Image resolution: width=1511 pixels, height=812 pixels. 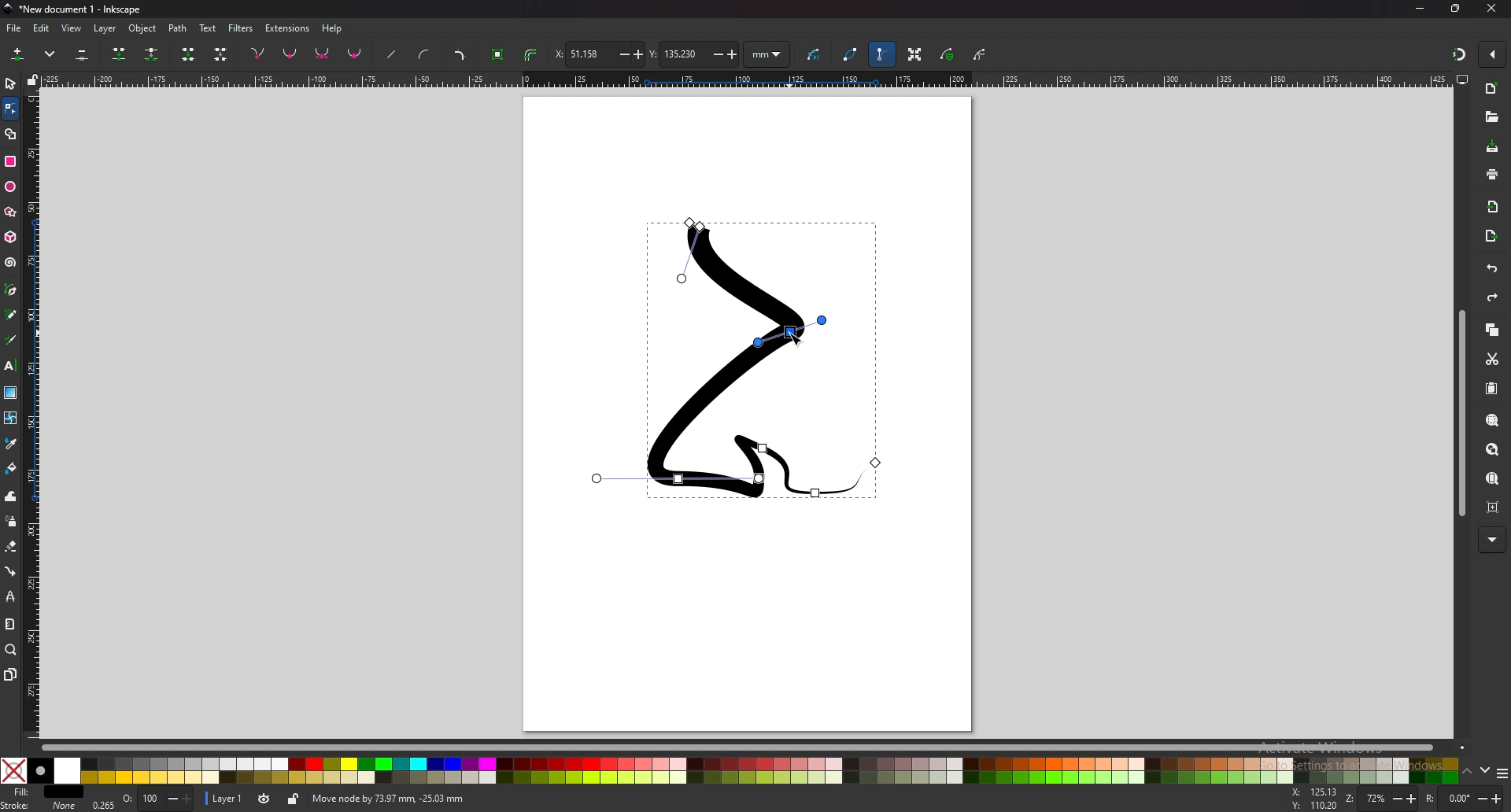 I want to click on join selected nodes, so click(x=120, y=53).